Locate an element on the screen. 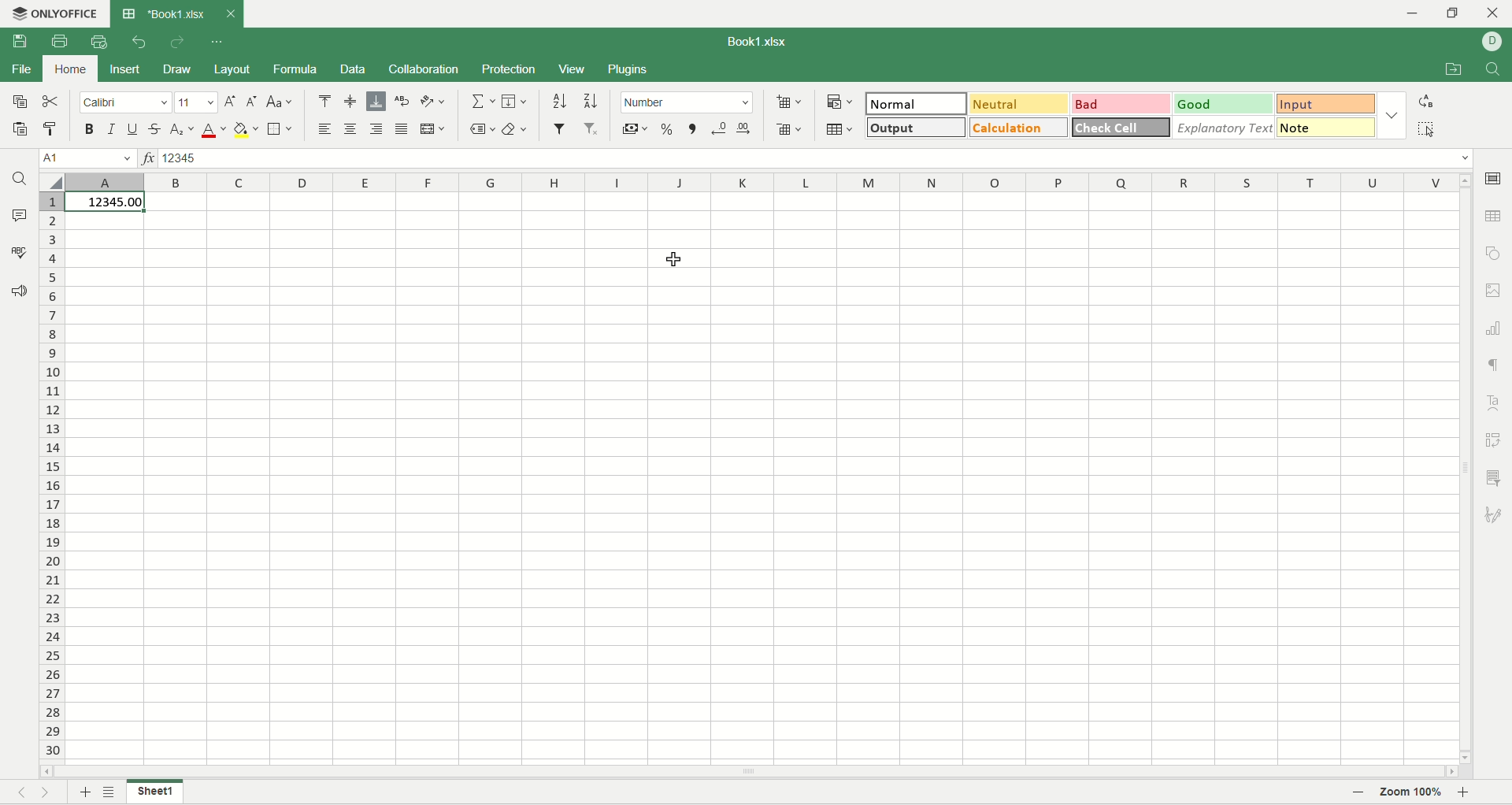  cell settings is located at coordinates (1493, 181).